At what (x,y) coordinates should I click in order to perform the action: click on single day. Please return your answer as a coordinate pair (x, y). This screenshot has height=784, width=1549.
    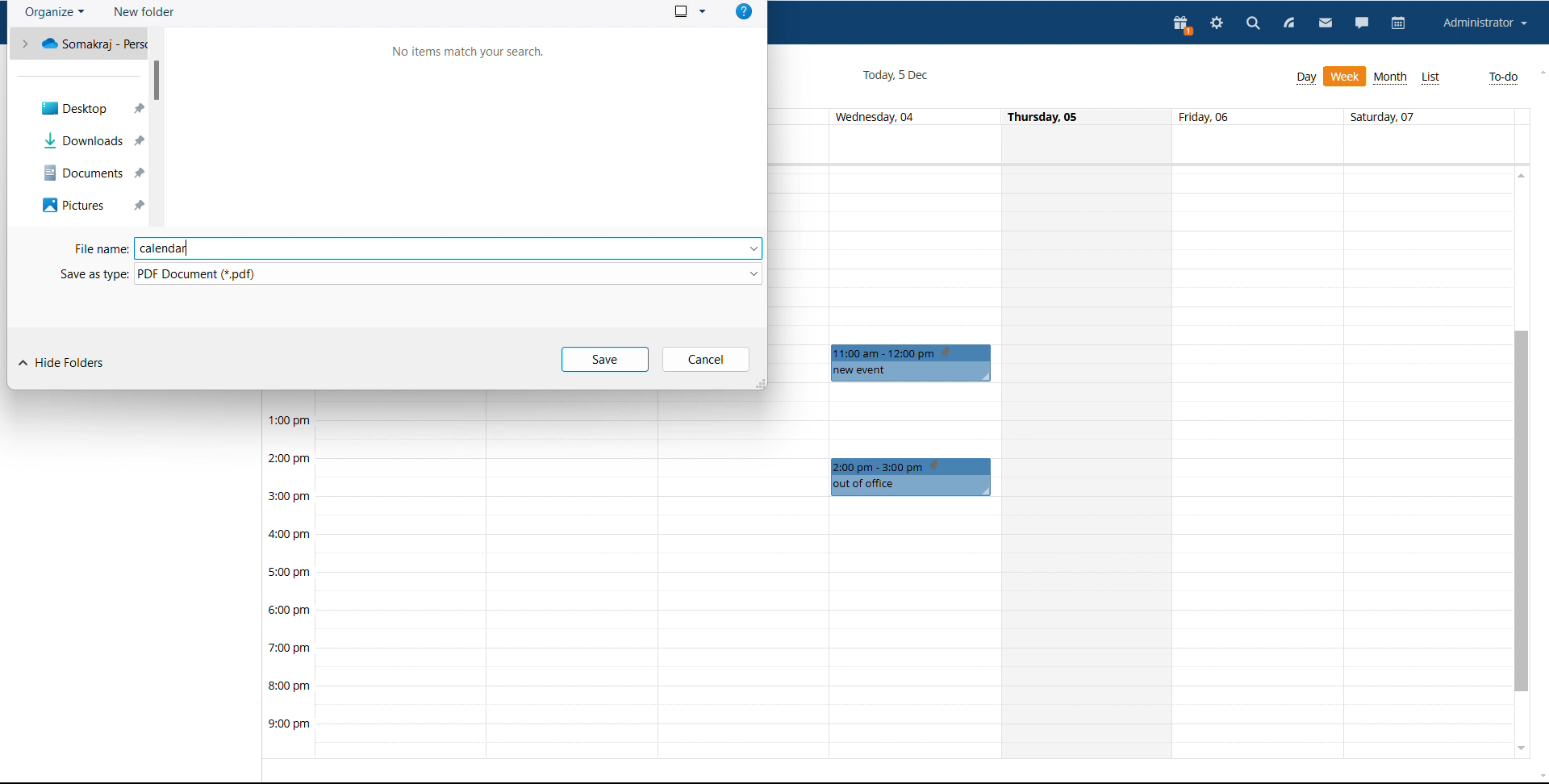
    Looking at the image, I should click on (1089, 461).